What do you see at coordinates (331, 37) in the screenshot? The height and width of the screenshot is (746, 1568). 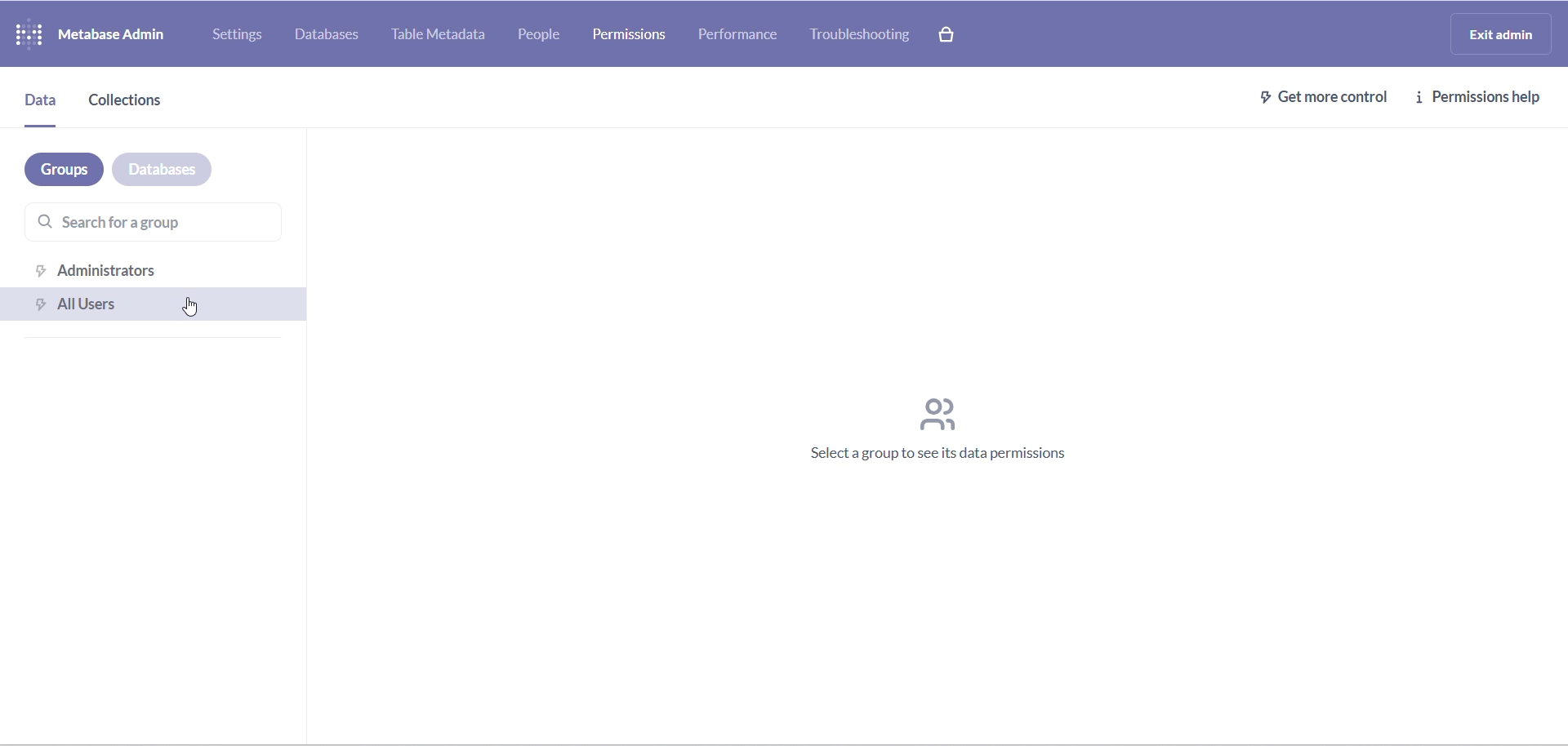 I see `databases` at bounding box center [331, 37].